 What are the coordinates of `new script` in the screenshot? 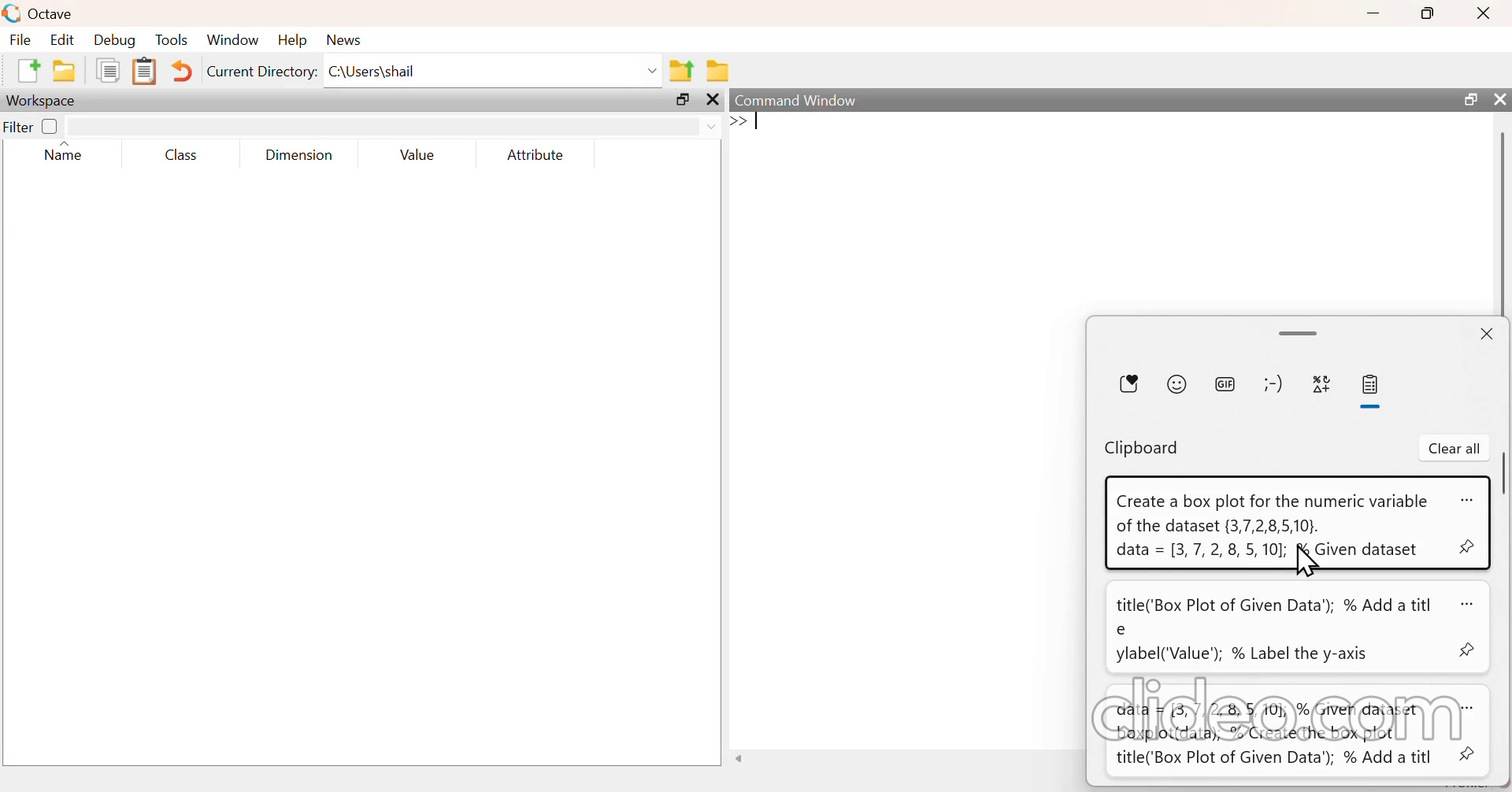 It's located at (23, 69).